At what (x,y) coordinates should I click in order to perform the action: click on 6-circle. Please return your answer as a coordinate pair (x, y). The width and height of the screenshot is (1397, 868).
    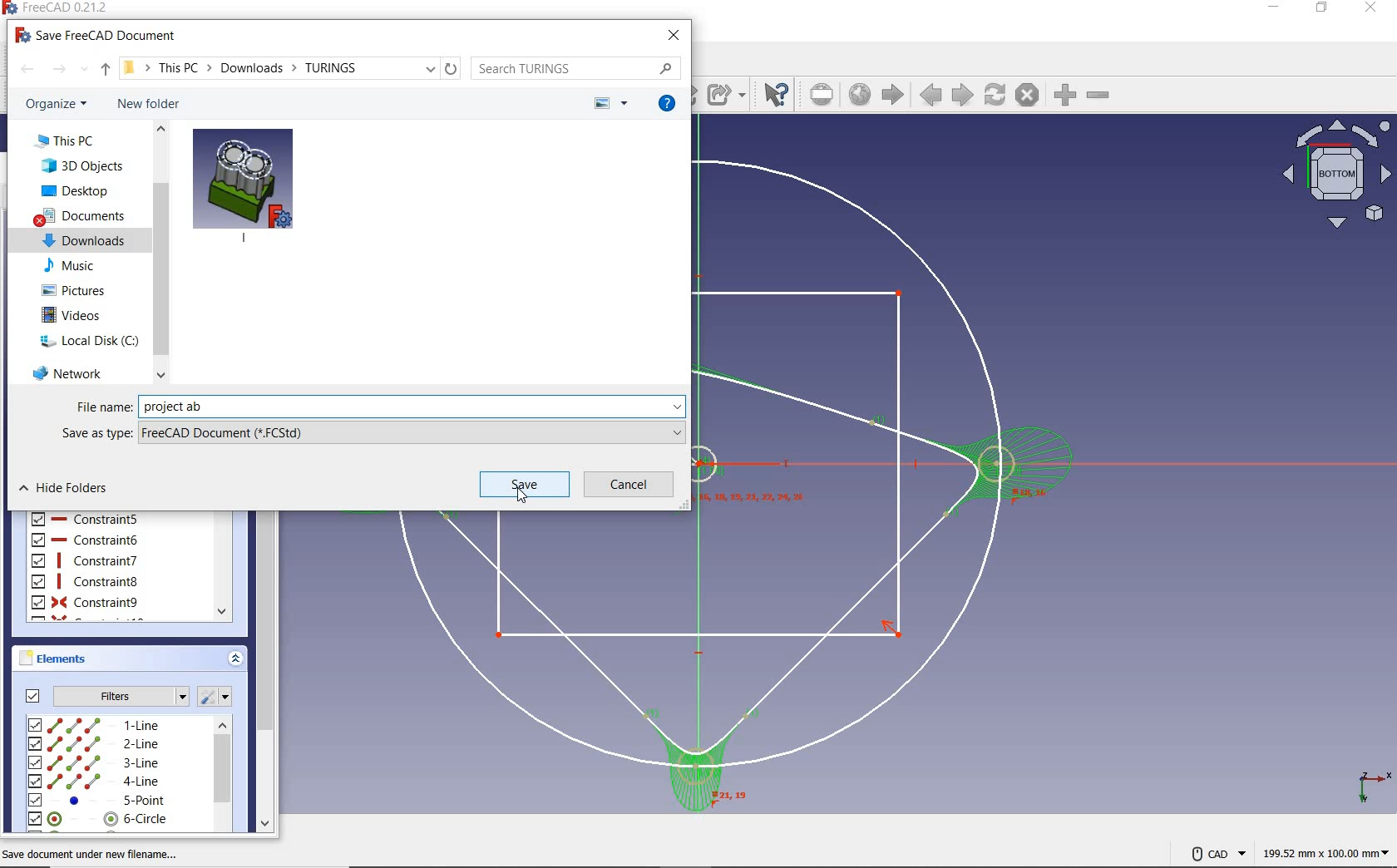
    Looking at the image, I should click on (99, 819).